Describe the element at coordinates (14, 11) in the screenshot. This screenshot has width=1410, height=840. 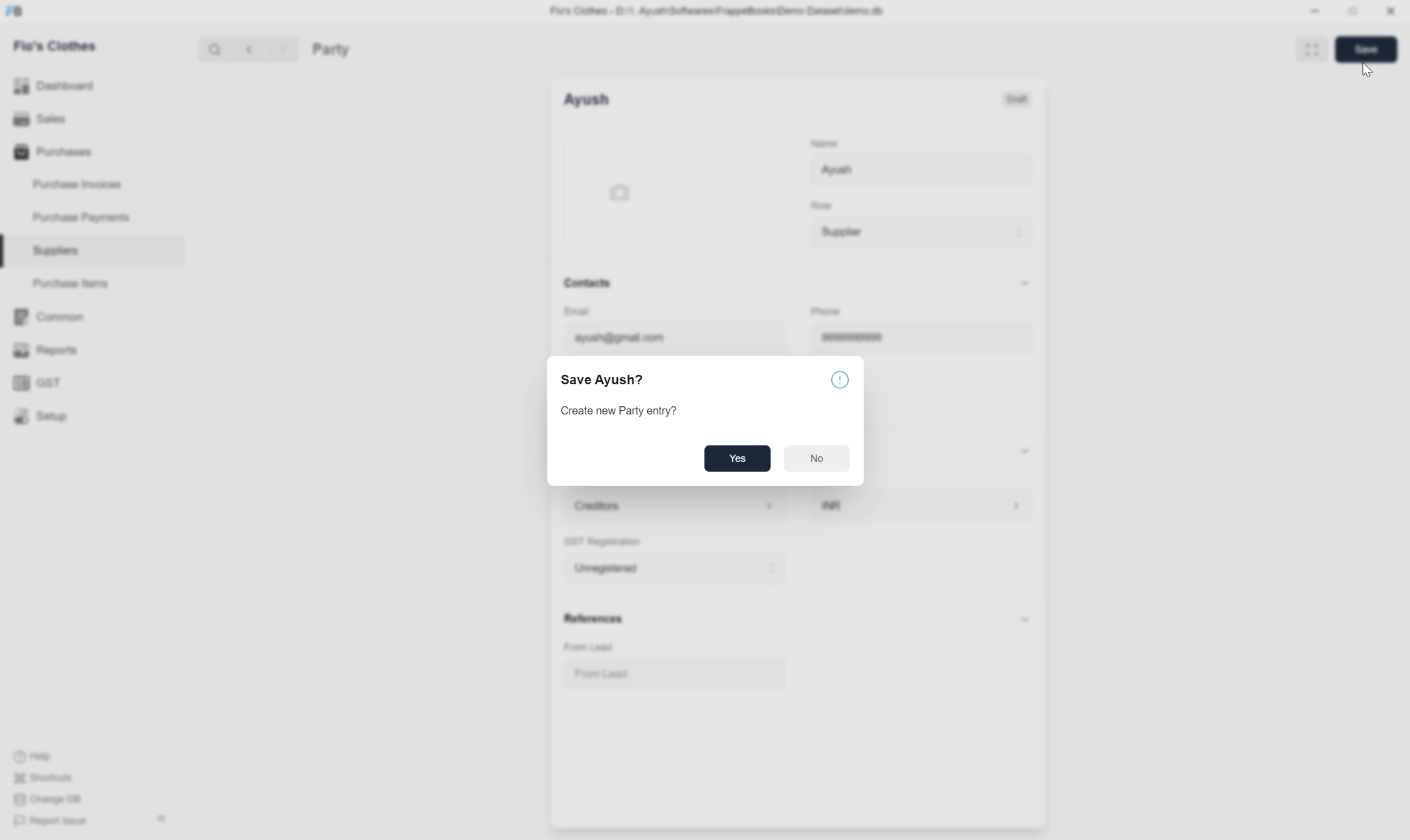
I see `Frappe Books logo` at that location.